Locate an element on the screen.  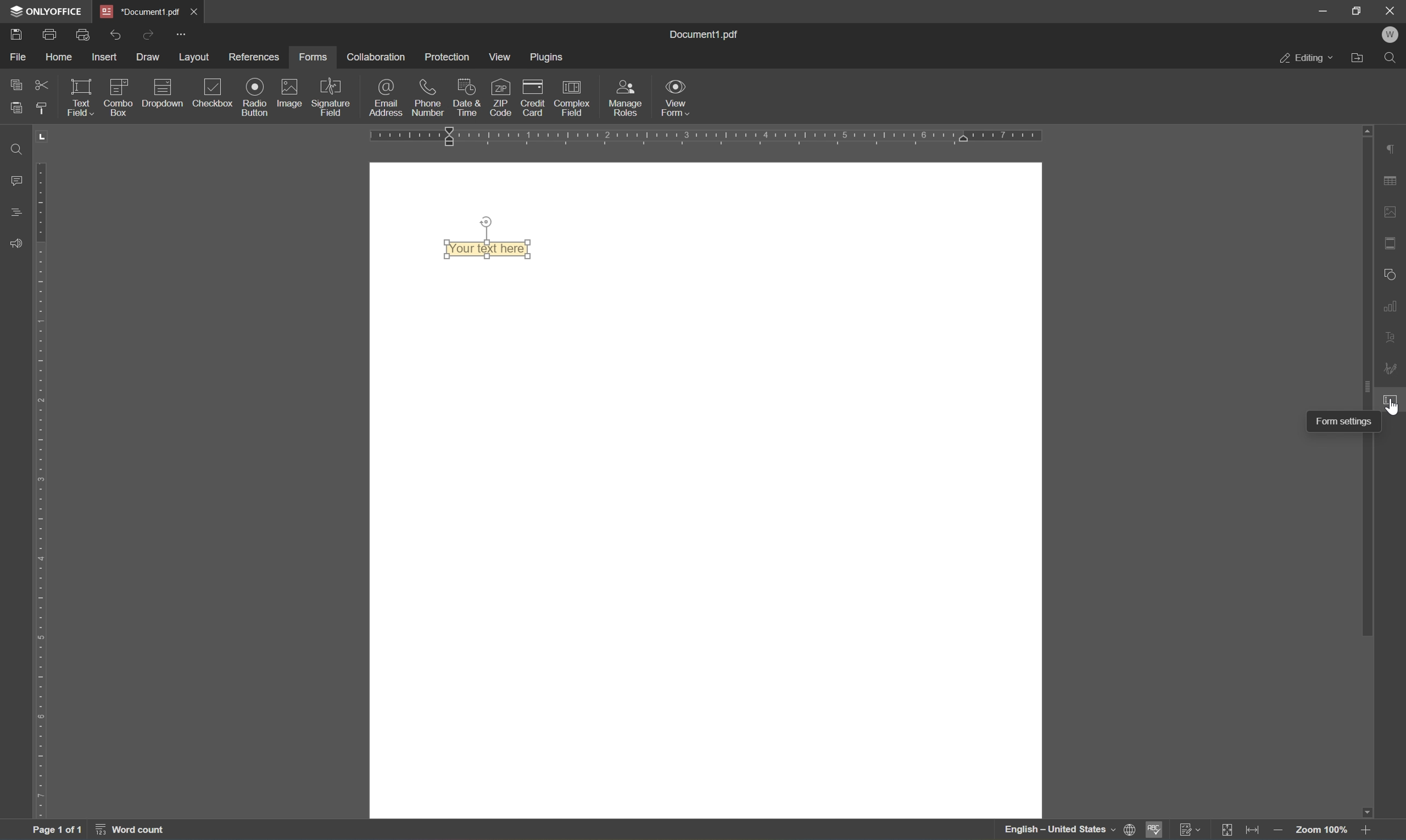
close is located at coordinates (195, 13).